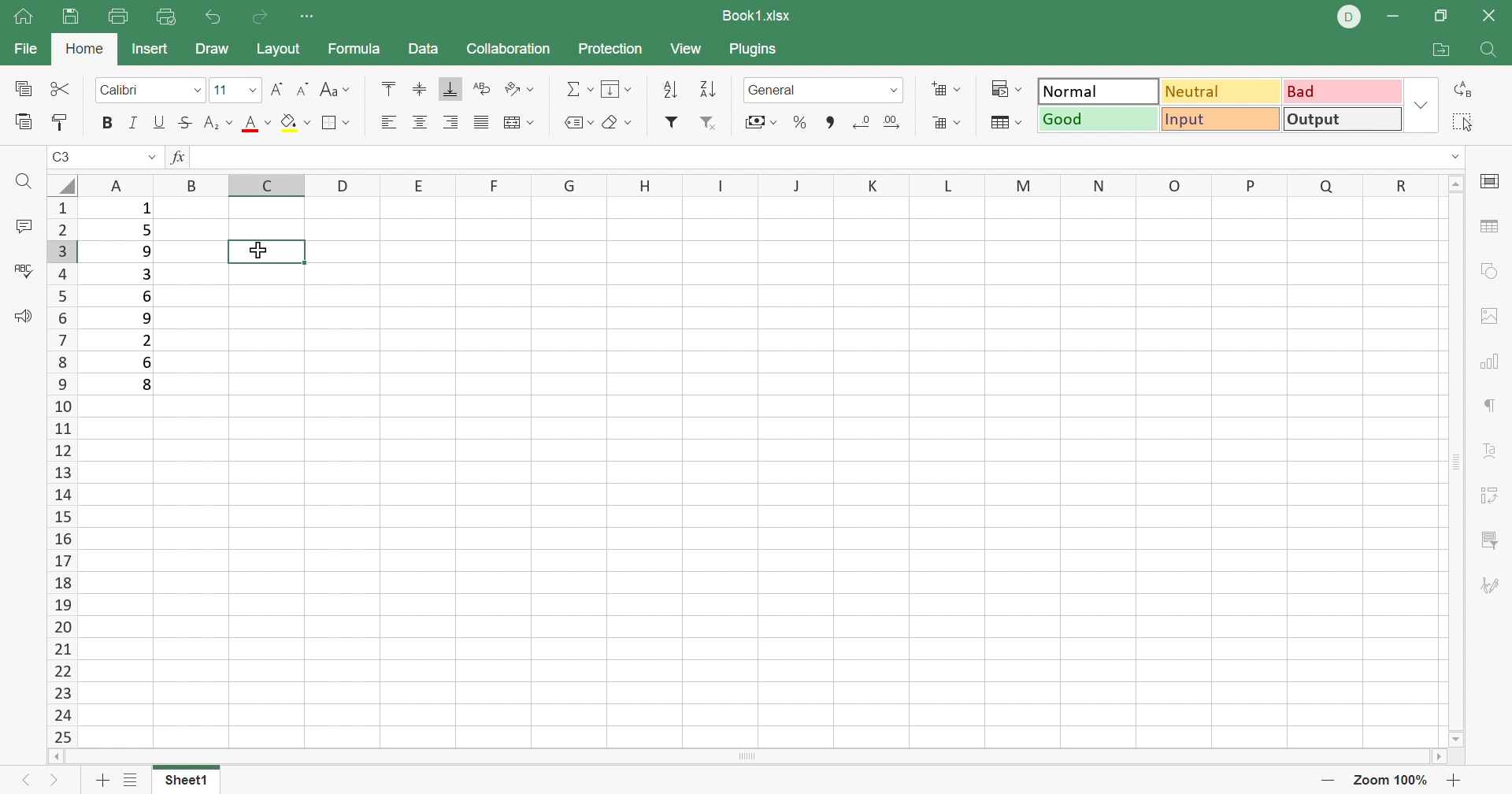 This screenshot has width=1512, height=794. Describe the element at coordinates (57, 781) in the screenshot. I see `Next` at that location.